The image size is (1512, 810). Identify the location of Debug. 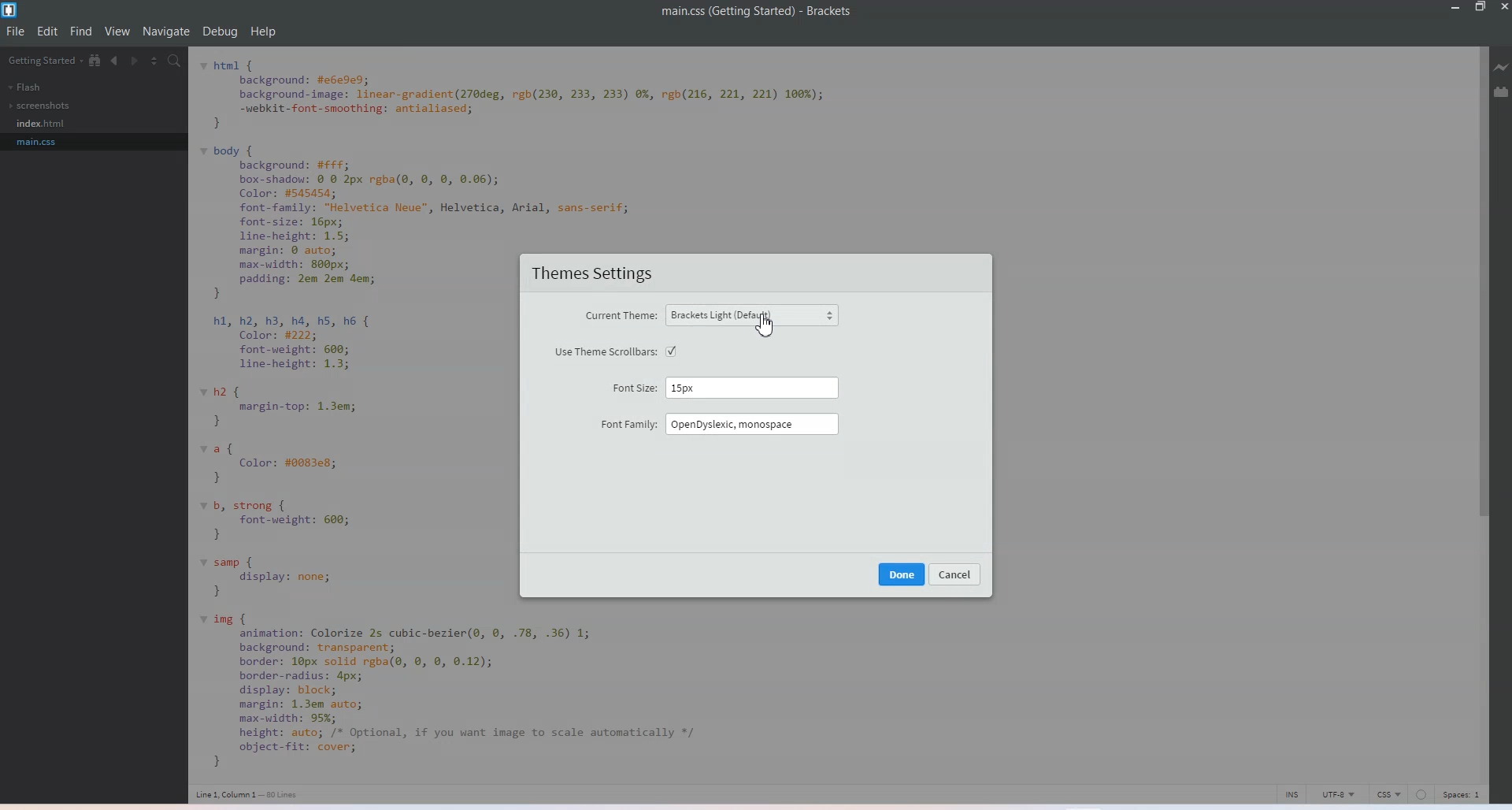
(220, 32).